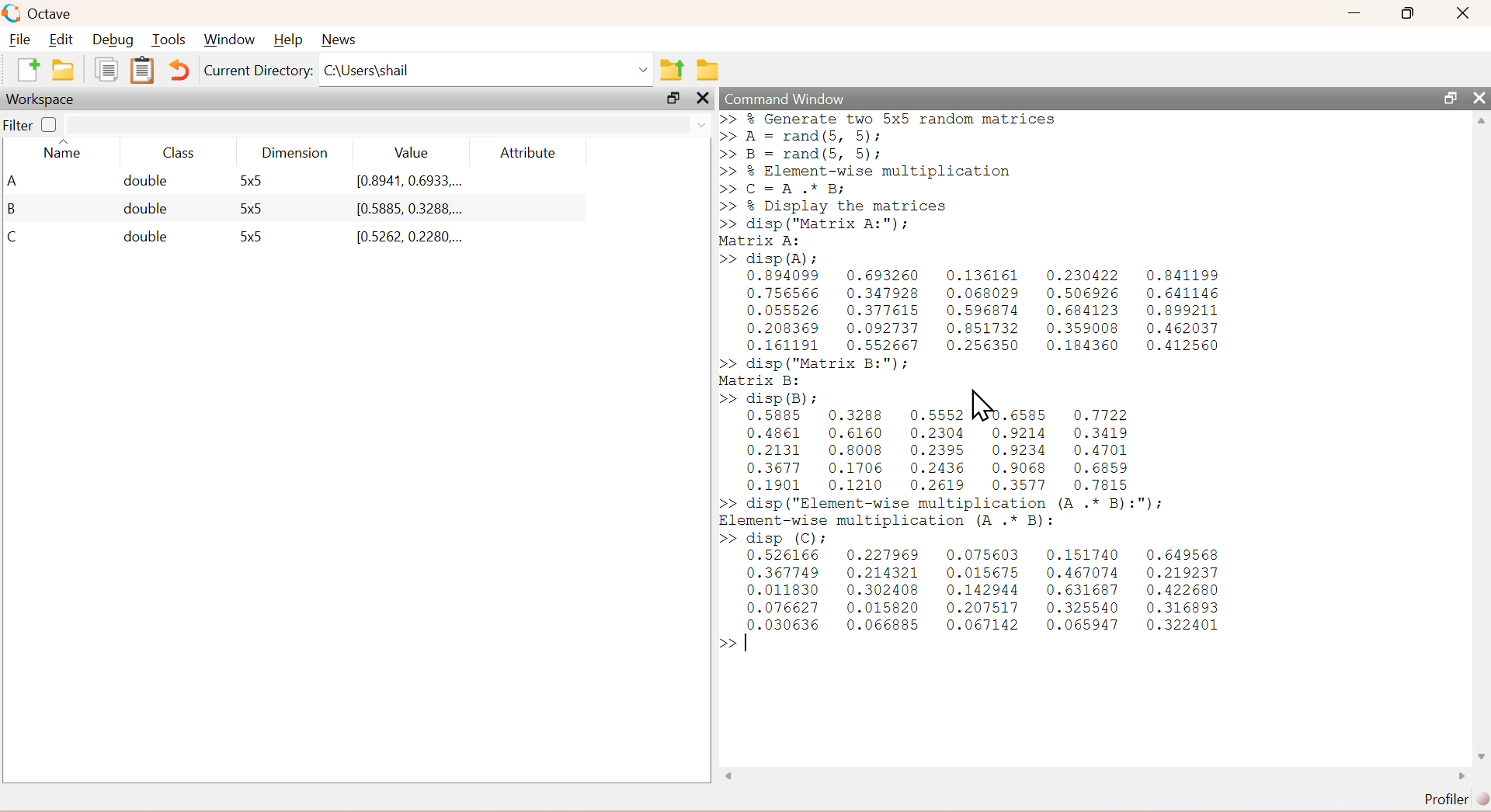 This screenshot has height=812, width=1491. Describe the element at coordinates (140, 70) in the screenshot. I see `Paste` at that location.